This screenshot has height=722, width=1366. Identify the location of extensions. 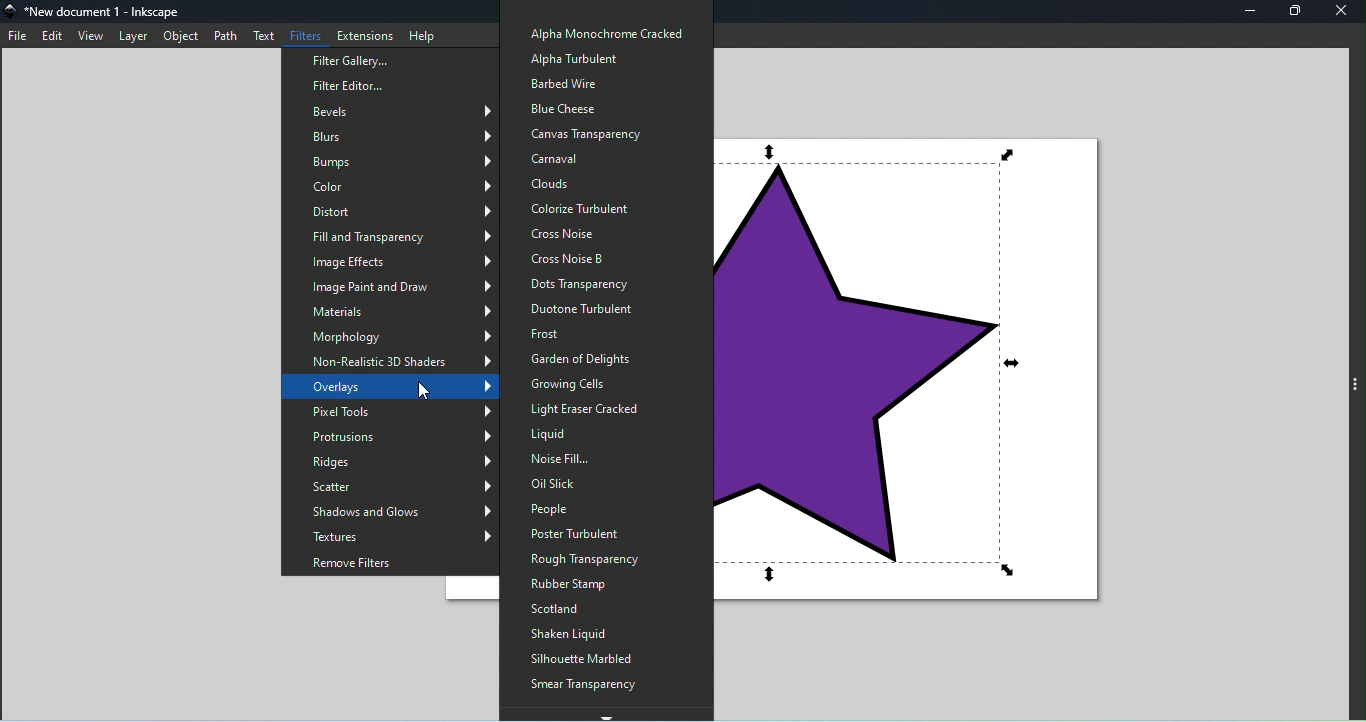
(364, 32).